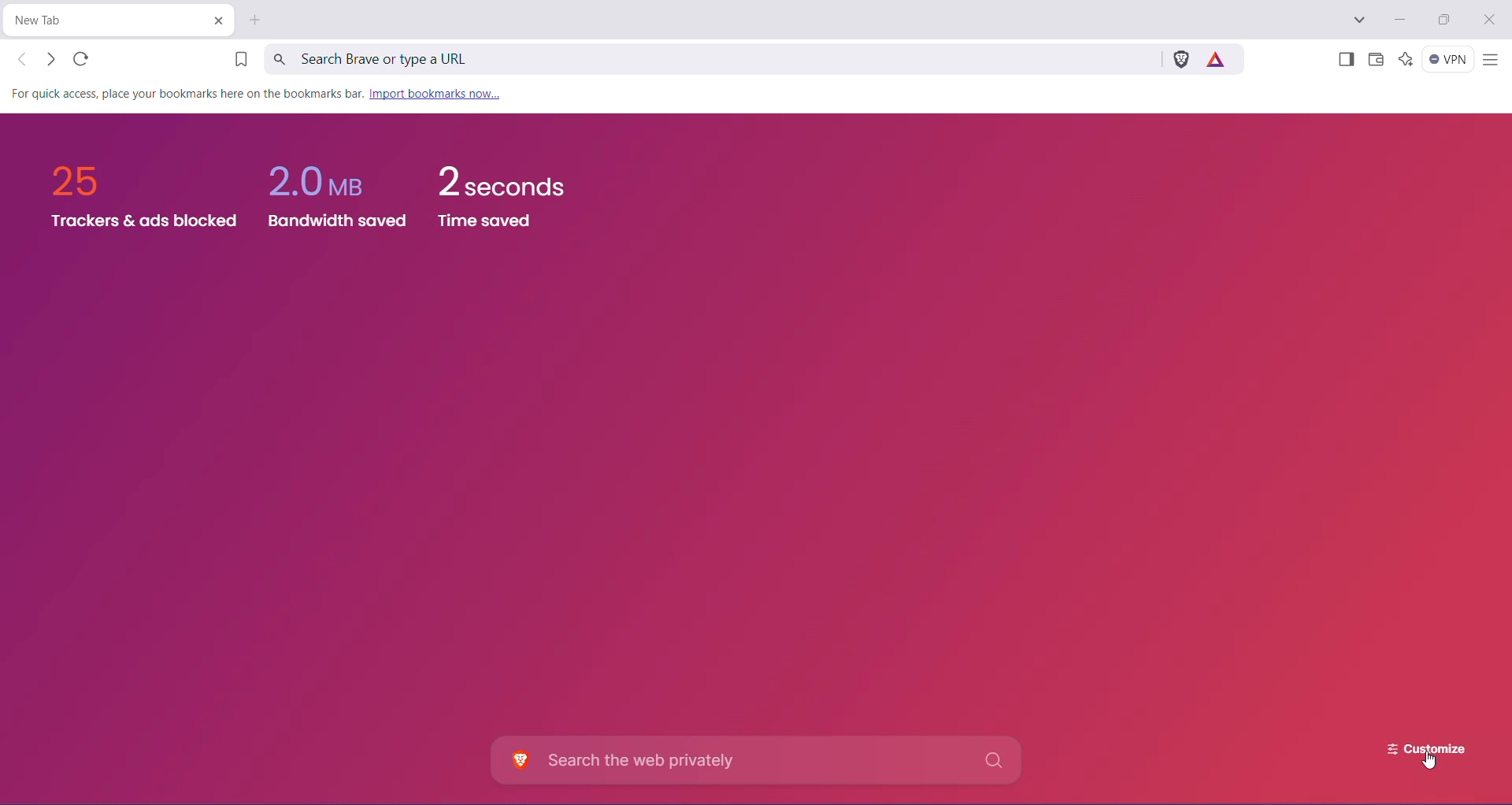 The height and width of the screenshot is (805, 1512). What do you see at coordinates (434, 95) in the screenshot?
I see `Import Bookmark now` at bounding box center [434, 95].